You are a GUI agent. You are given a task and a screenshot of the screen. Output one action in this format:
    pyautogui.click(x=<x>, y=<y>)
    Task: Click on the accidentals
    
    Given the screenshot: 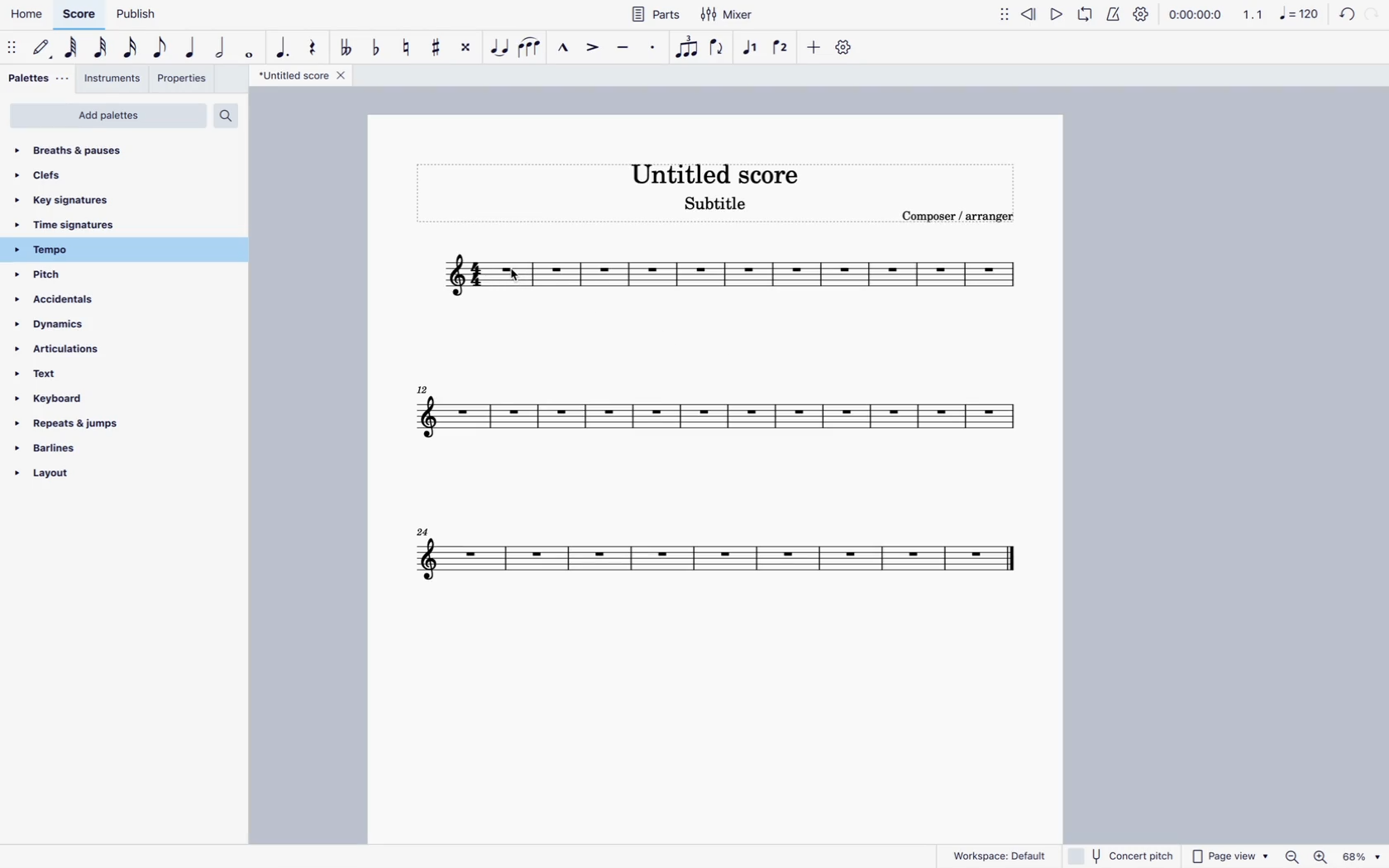 What is the action you would take?
    pyautogui.click(x=84, y=301)
    